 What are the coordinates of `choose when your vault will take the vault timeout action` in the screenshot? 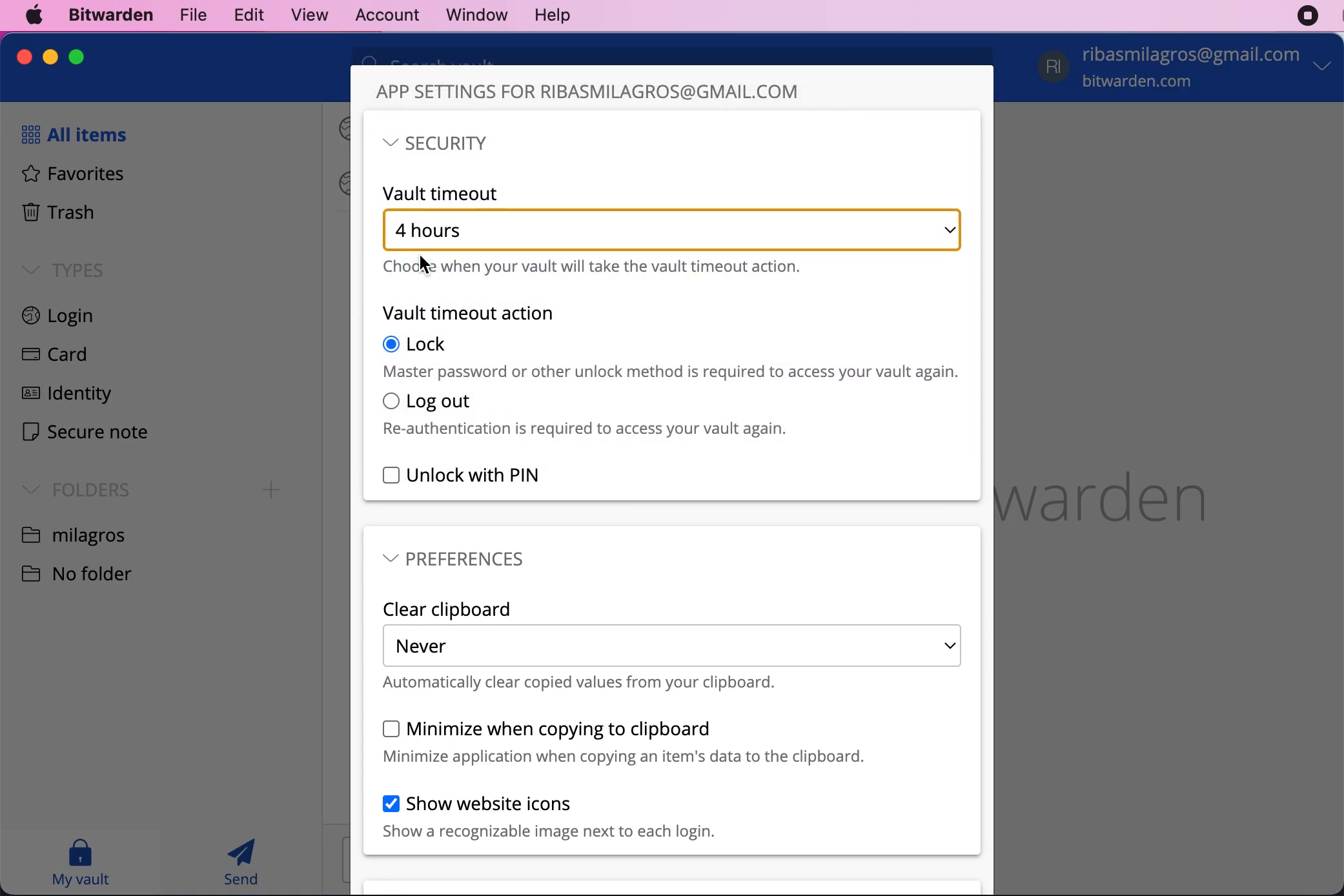 It's located at (594, 268).